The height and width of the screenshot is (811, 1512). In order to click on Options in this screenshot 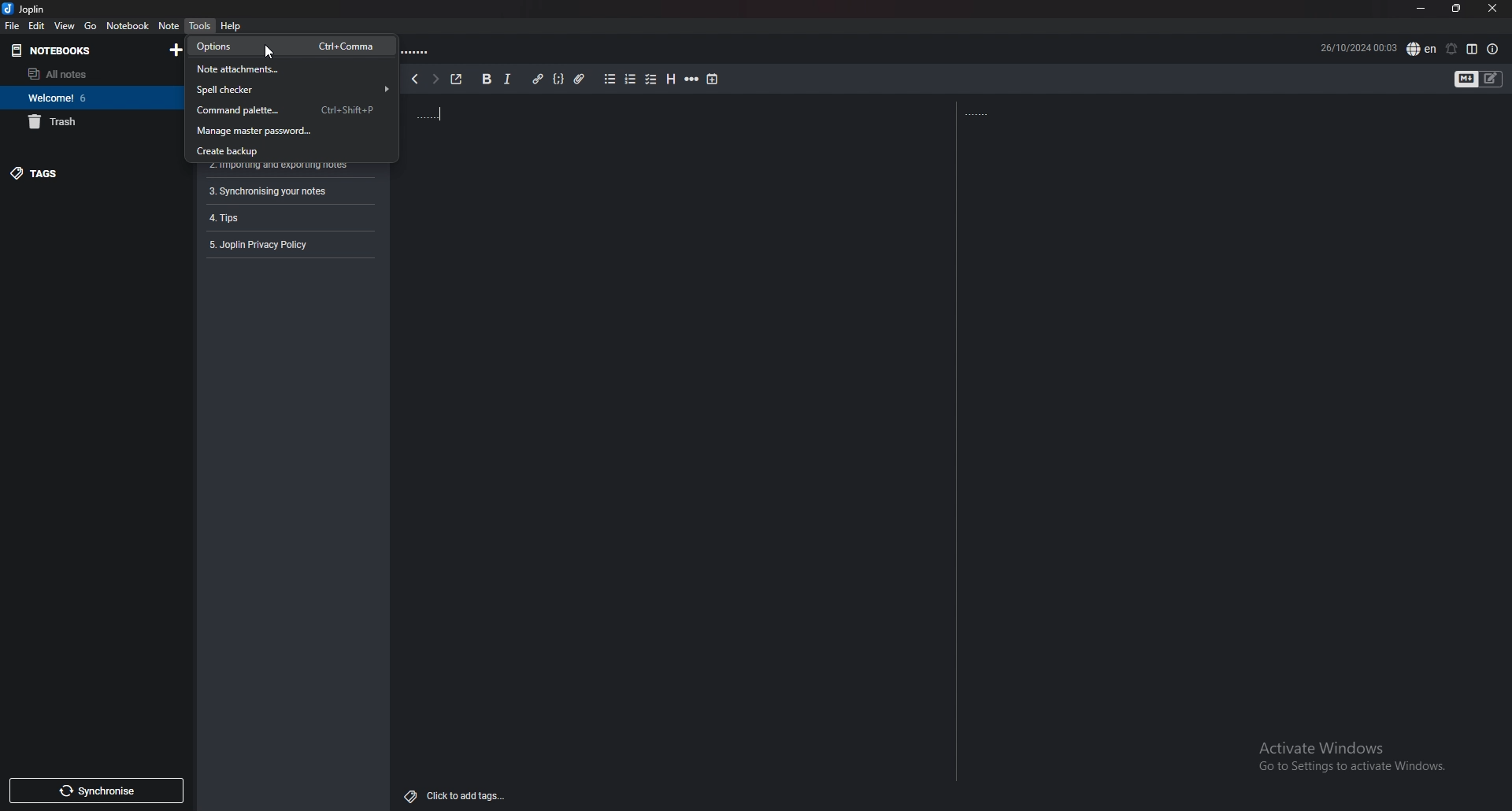, I will do `click(284, 46)`.